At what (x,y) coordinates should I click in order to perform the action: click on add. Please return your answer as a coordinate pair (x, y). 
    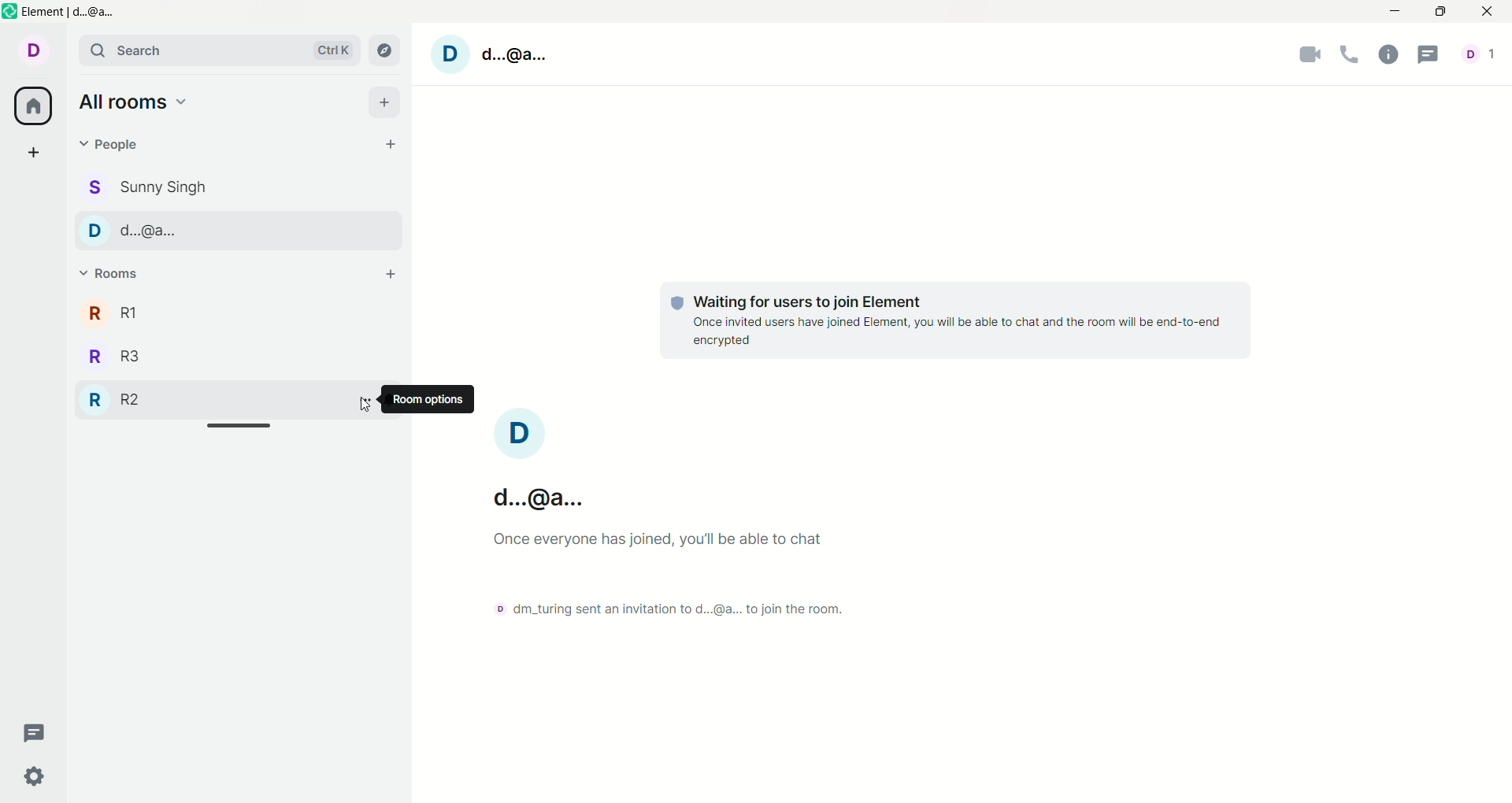
    Looking at the image, I should click on (384, 102).